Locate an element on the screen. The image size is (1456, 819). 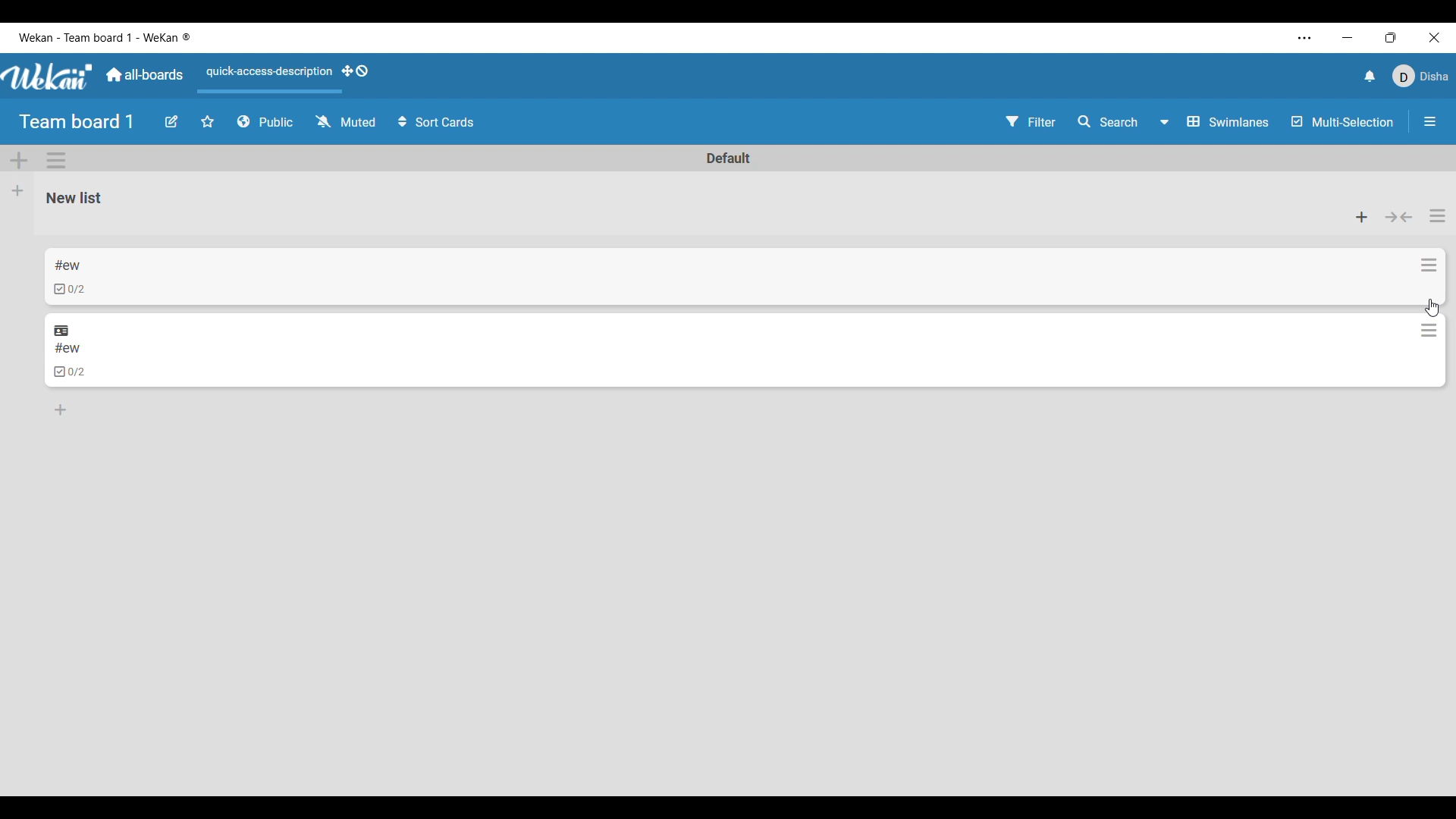
cursor is located at coordinates (1432, 308).